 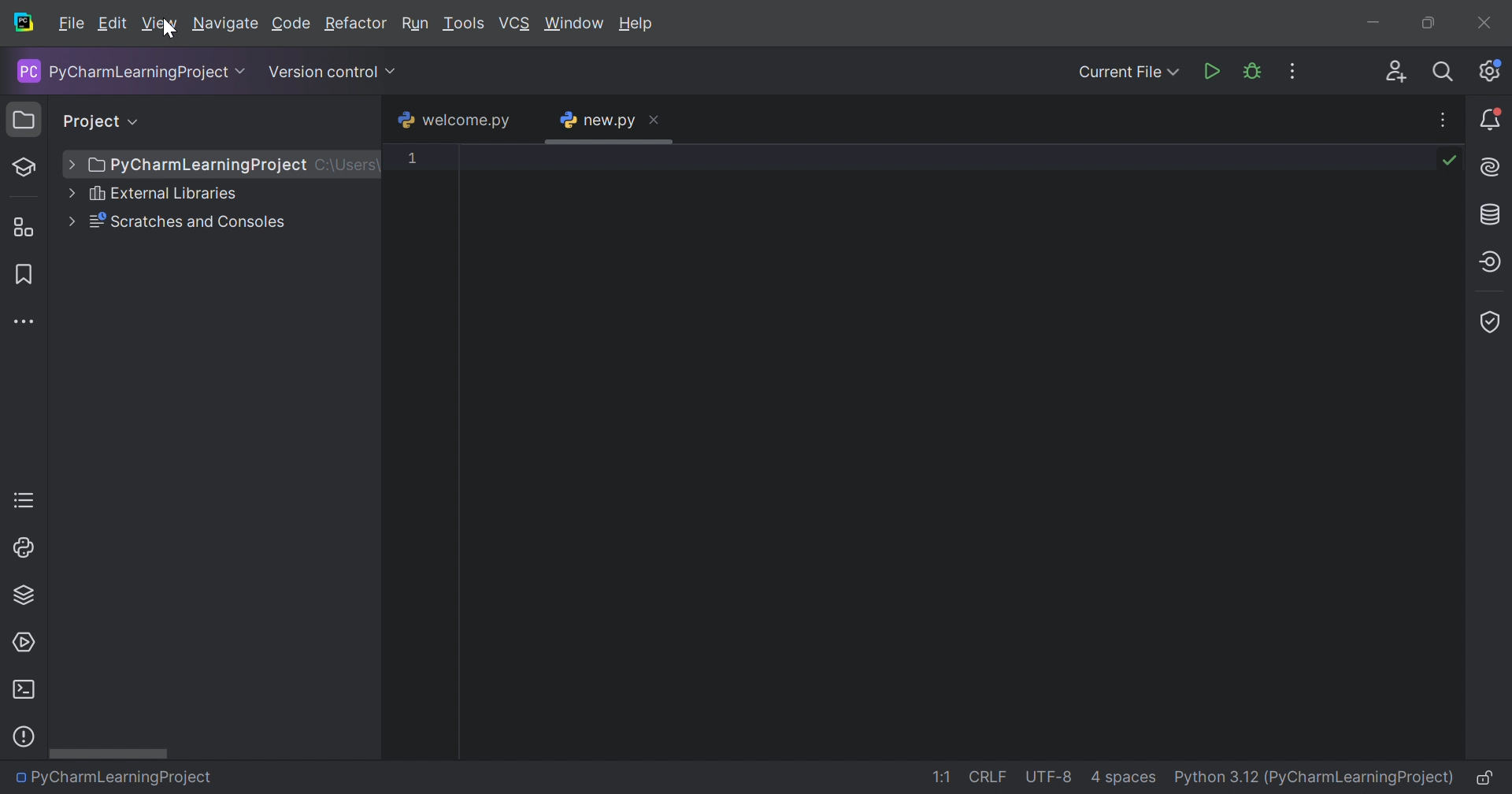 I want to click on Learn, so click(x=31, y=167).